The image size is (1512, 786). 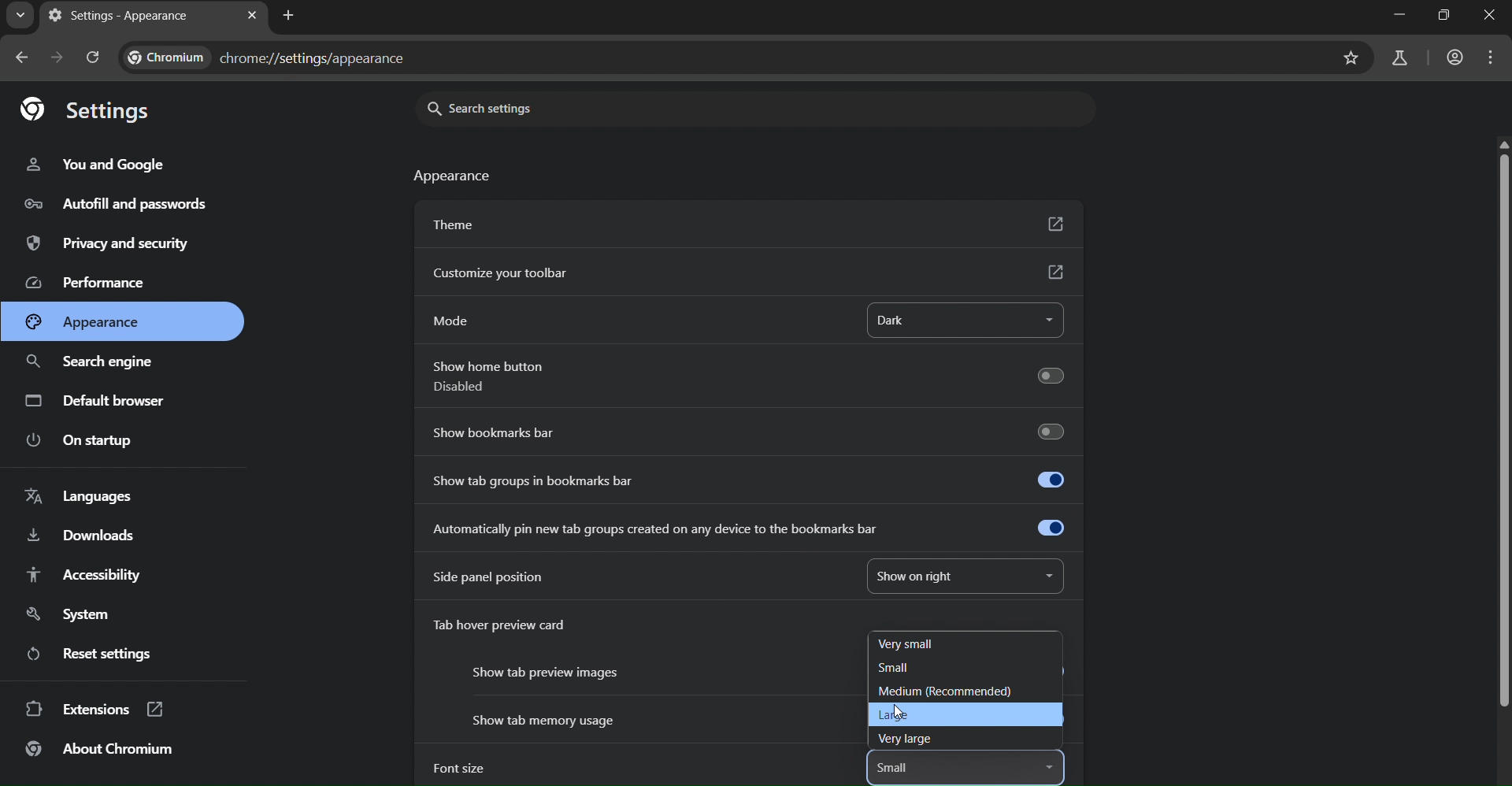 What do you see at coordinates (83, 441) in the screenshot?
I see `on startup` at bounding box center [83, 441].